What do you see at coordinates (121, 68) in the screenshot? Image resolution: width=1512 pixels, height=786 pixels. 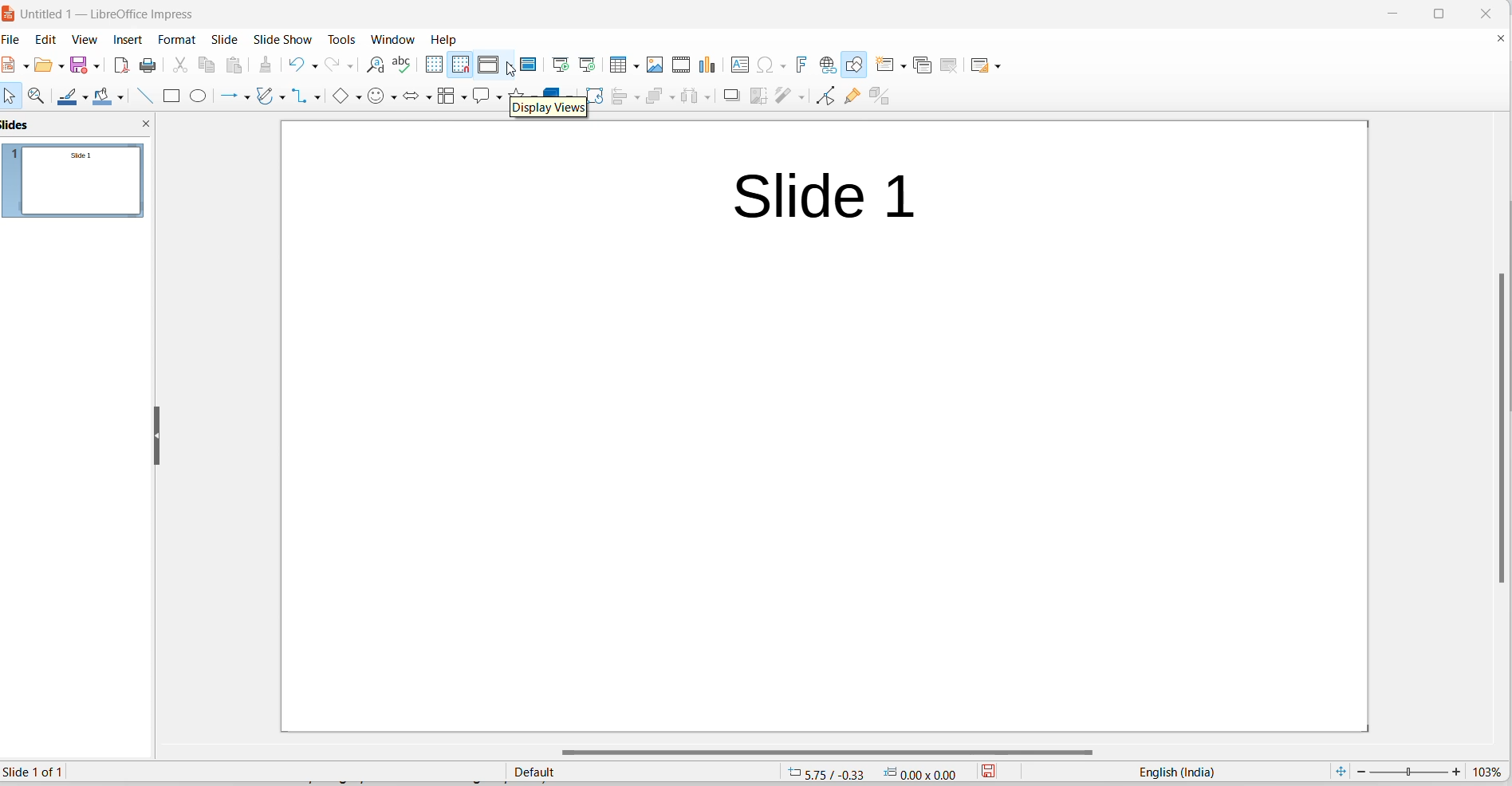 I see `export as pdf` at bounding box center [121, 68].